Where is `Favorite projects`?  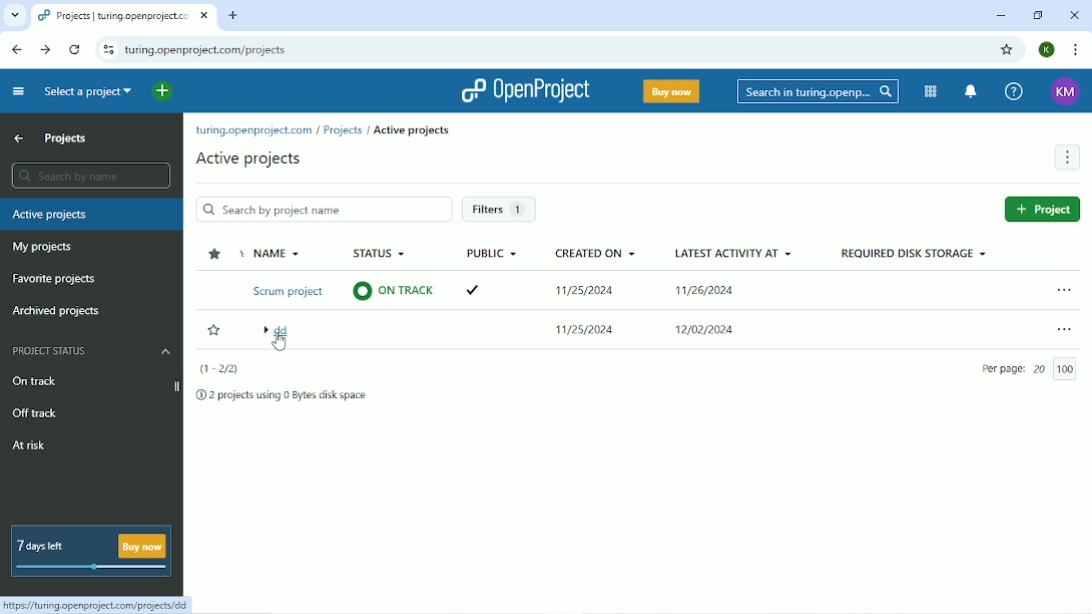
Favorite projects is located at coordinates (52, 279).